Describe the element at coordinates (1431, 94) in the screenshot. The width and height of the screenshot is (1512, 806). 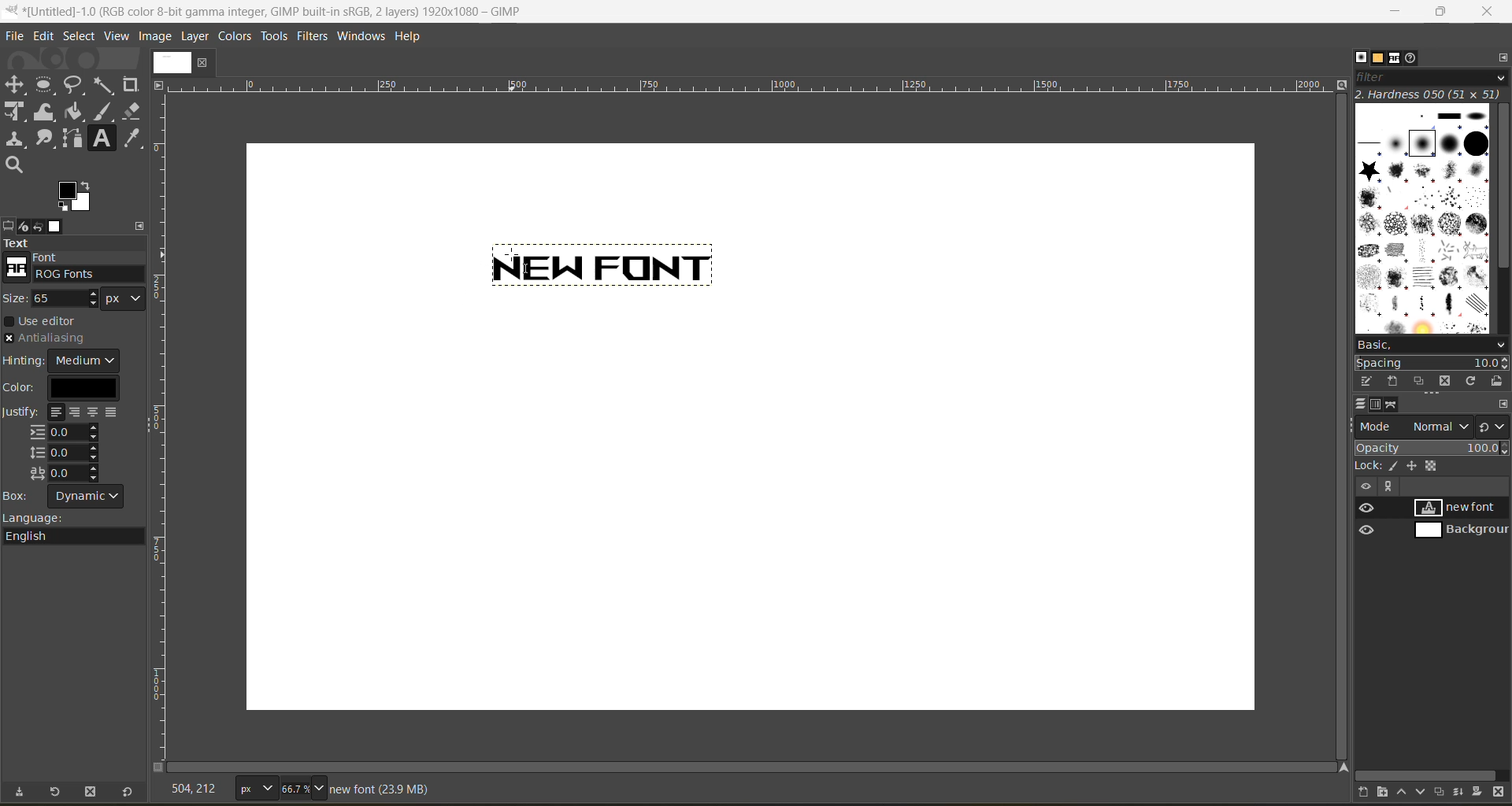
I see `hardness` at that location.